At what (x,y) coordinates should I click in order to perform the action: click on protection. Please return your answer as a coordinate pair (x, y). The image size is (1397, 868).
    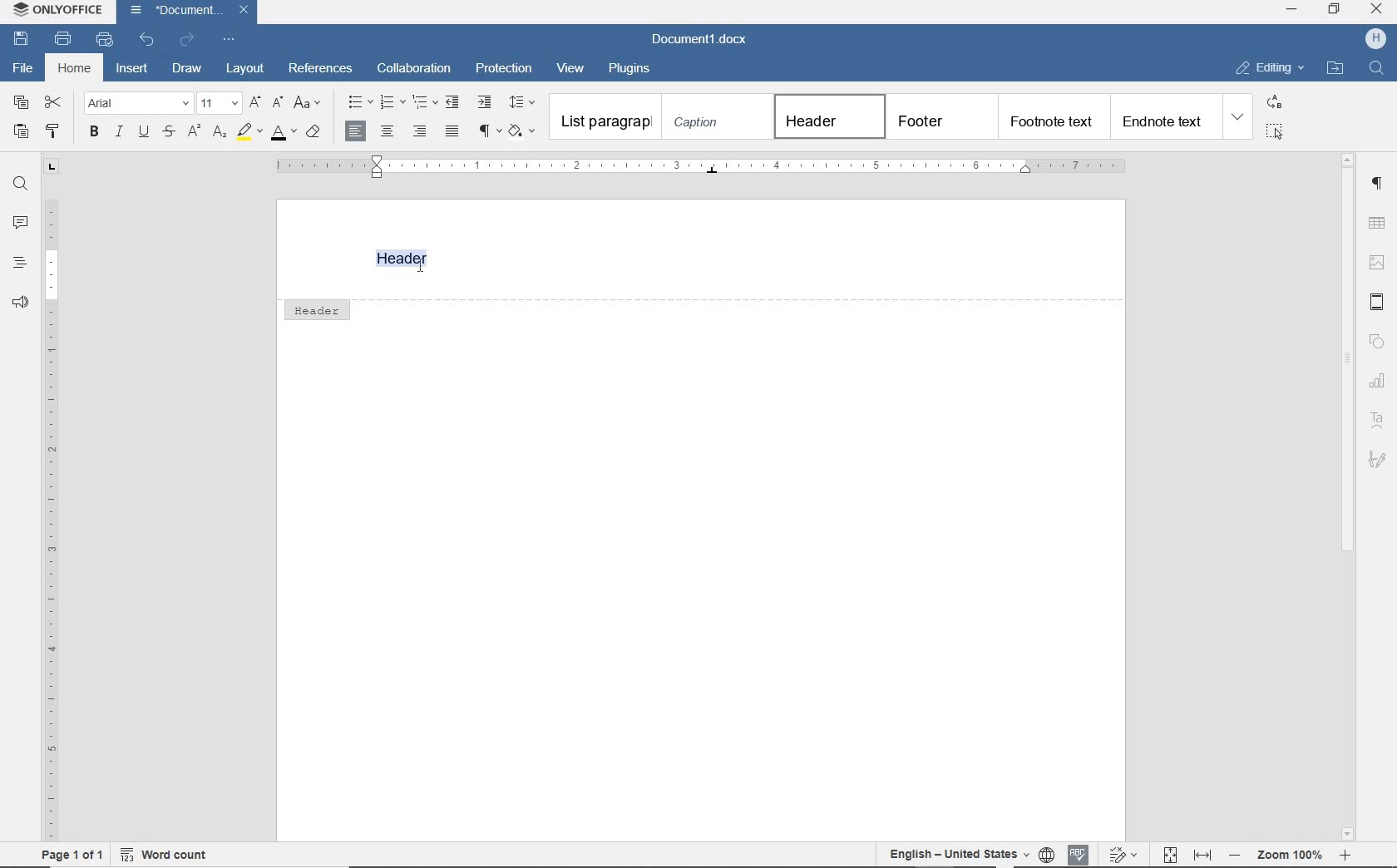
    Looking at the image, I should click on (504, 68).